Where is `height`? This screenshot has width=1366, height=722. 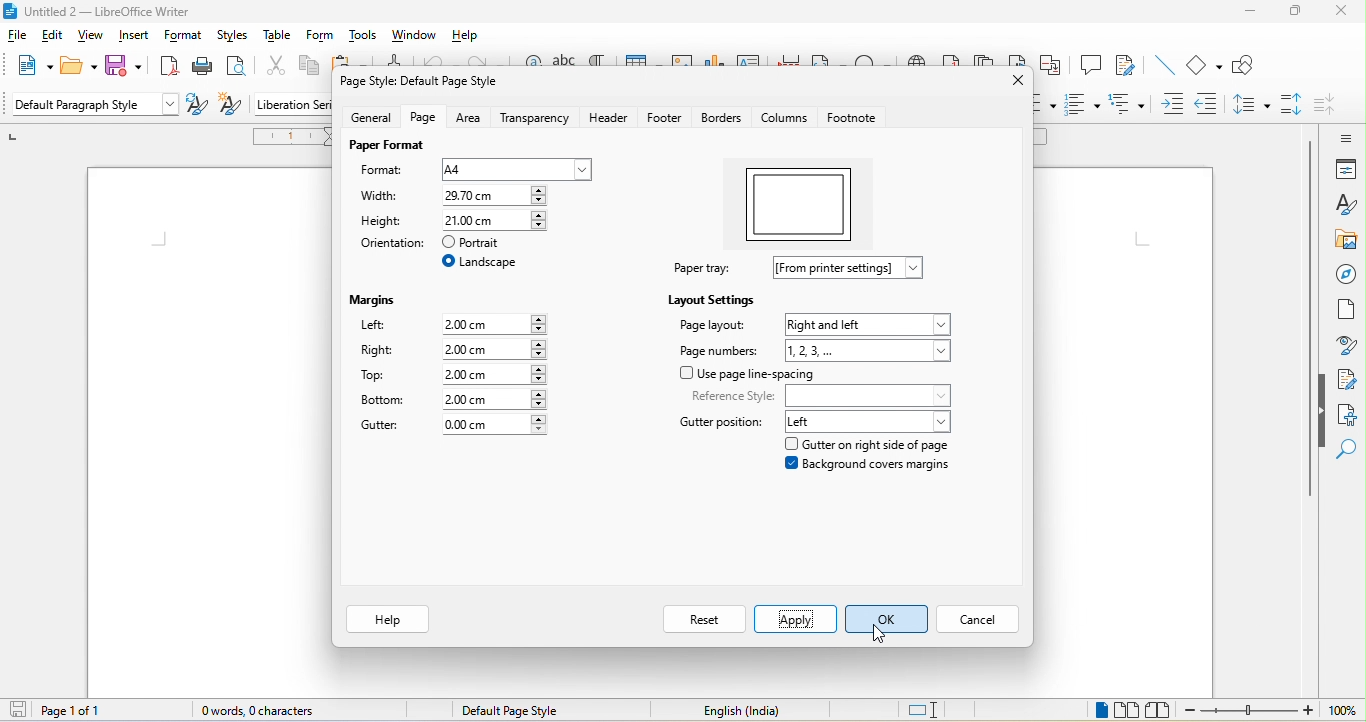
height is located at coordinates (384, 221).